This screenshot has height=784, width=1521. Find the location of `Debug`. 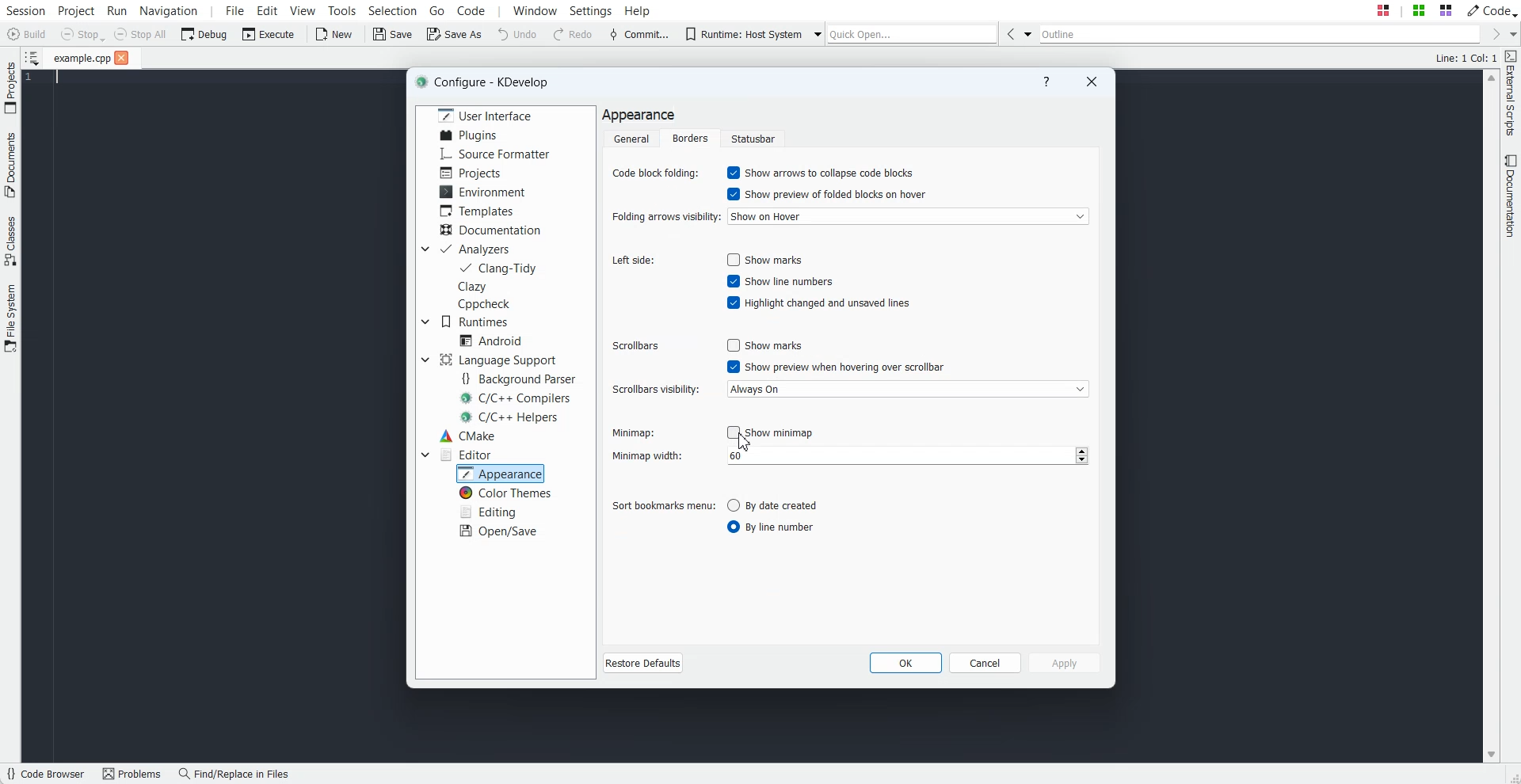

Debug is located at coordinates (204, 34).